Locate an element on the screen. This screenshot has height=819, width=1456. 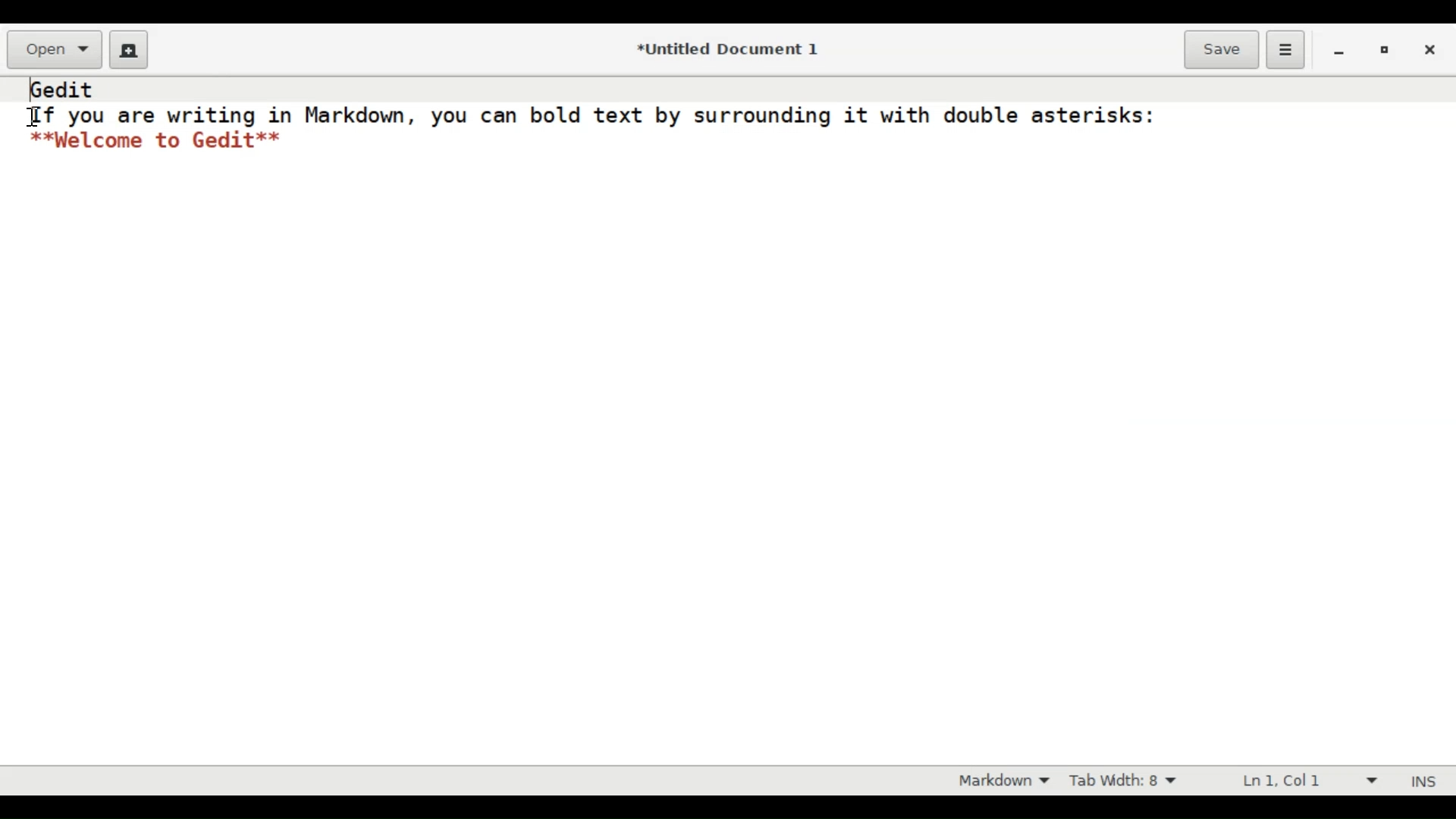
INS is located at coordinates (1426, 781).